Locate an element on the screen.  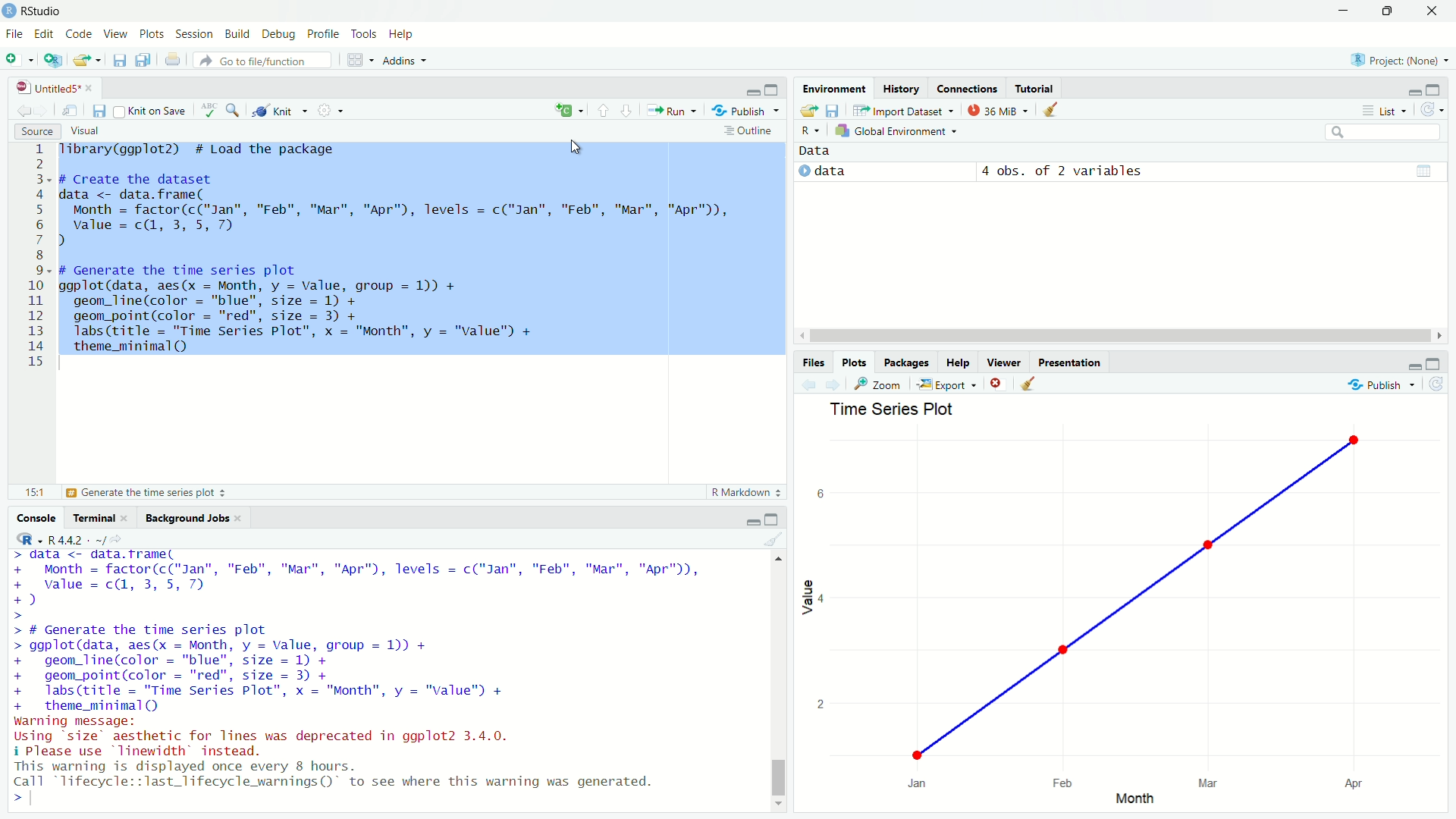
clear console is located at coordinates (773, 539).